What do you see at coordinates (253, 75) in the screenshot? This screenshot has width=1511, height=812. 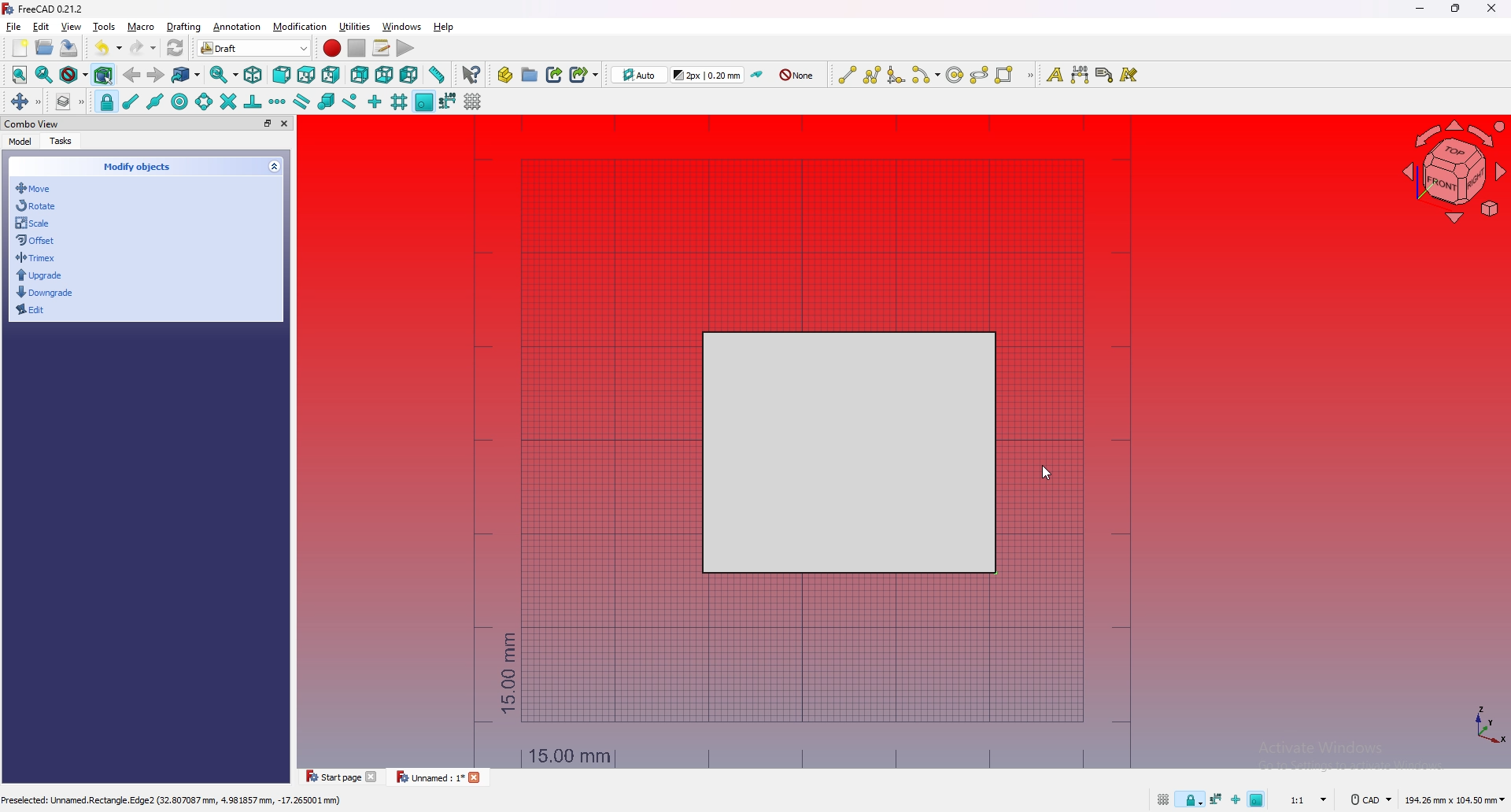 I see `isometric` at bounding box center [253, 75].